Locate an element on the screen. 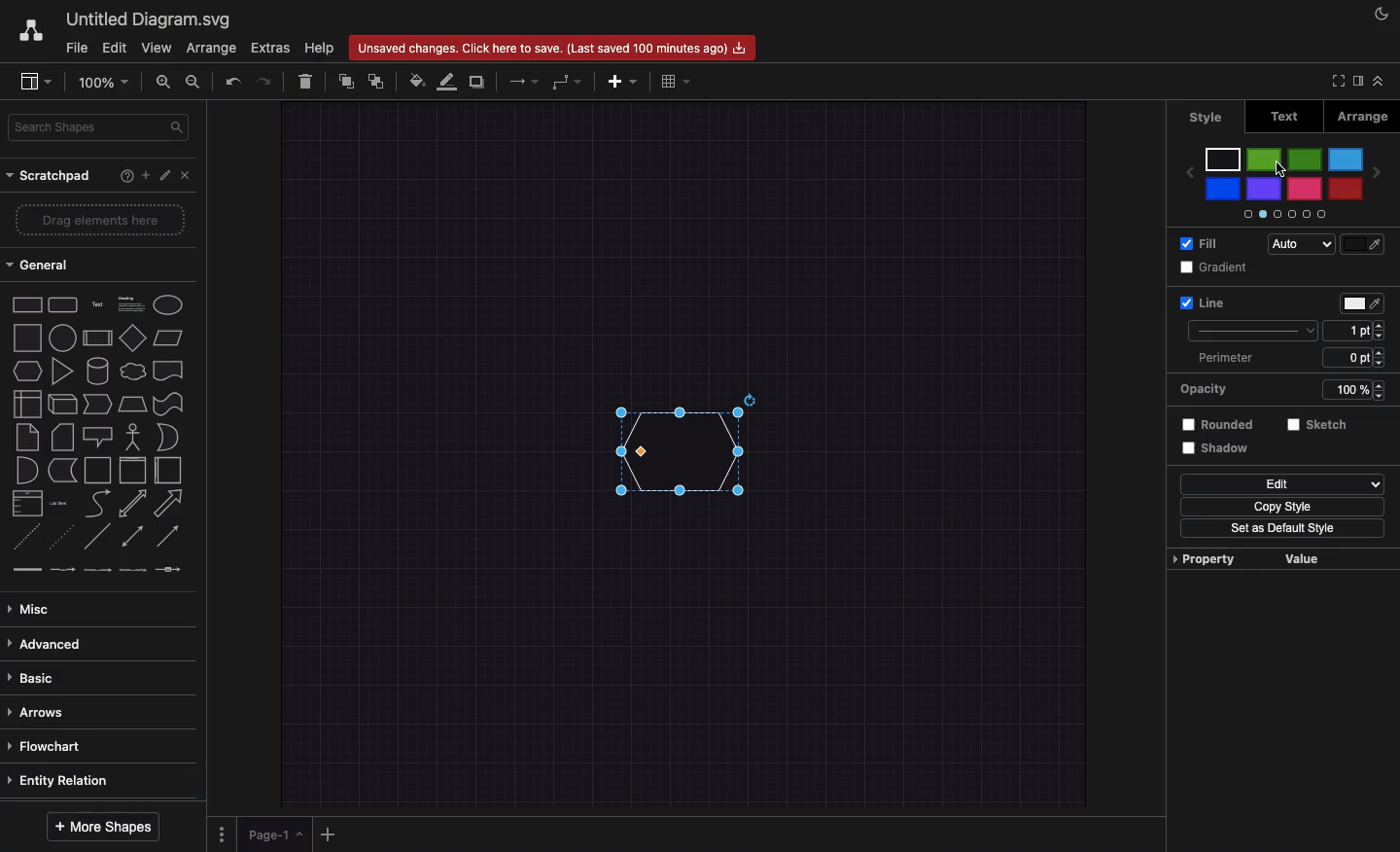 This screenshot has height=852, width=1400. Add is located at coordinates (329, 834).